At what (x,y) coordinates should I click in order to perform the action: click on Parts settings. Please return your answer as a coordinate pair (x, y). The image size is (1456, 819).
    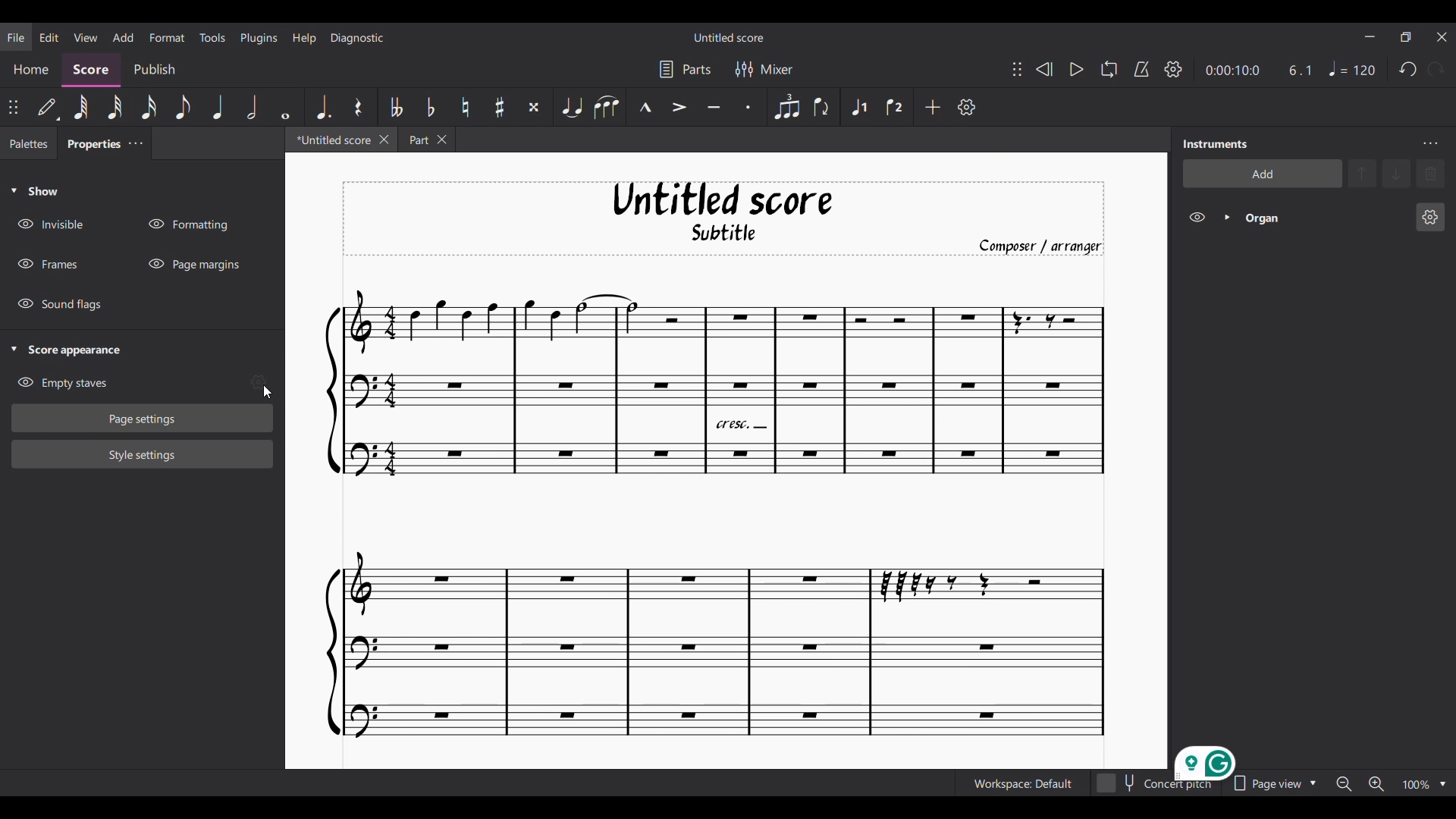
    Looking at the image, I should click on (684, 69).